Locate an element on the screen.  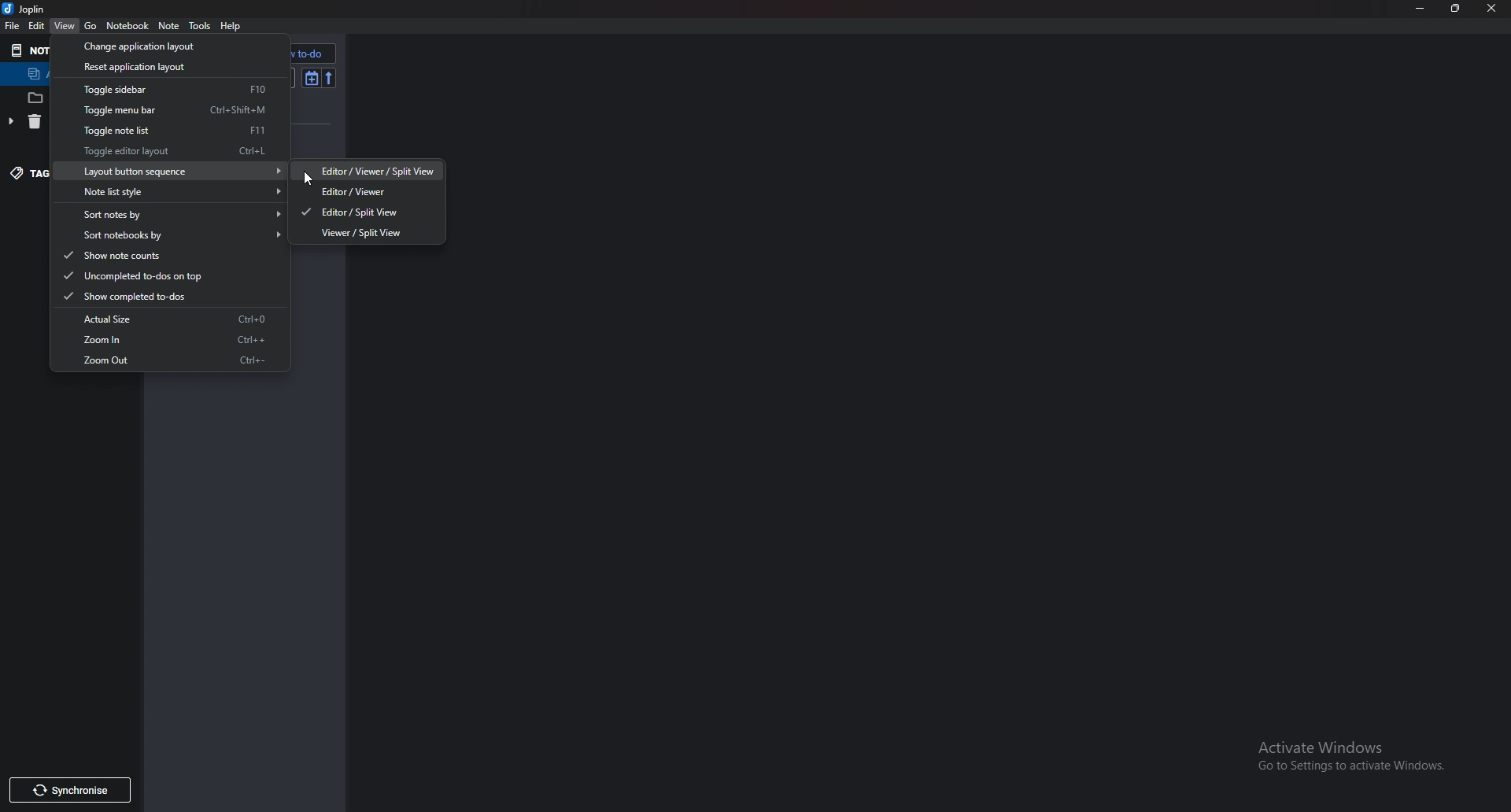
File is located at coordinates (14, 25).